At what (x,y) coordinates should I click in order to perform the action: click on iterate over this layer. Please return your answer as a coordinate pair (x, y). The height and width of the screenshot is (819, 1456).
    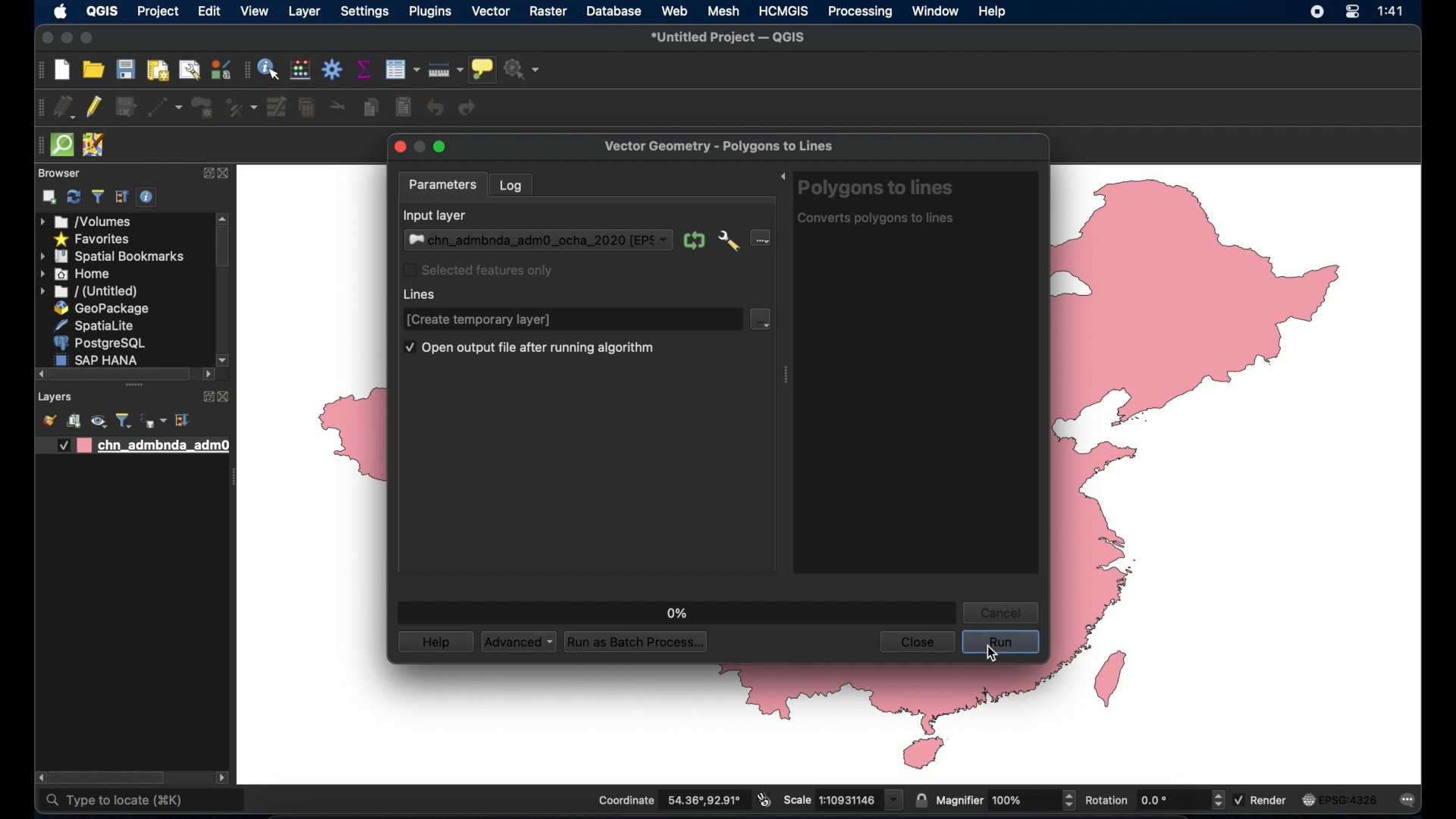
    Looking at the image, I should click on (694, 241).